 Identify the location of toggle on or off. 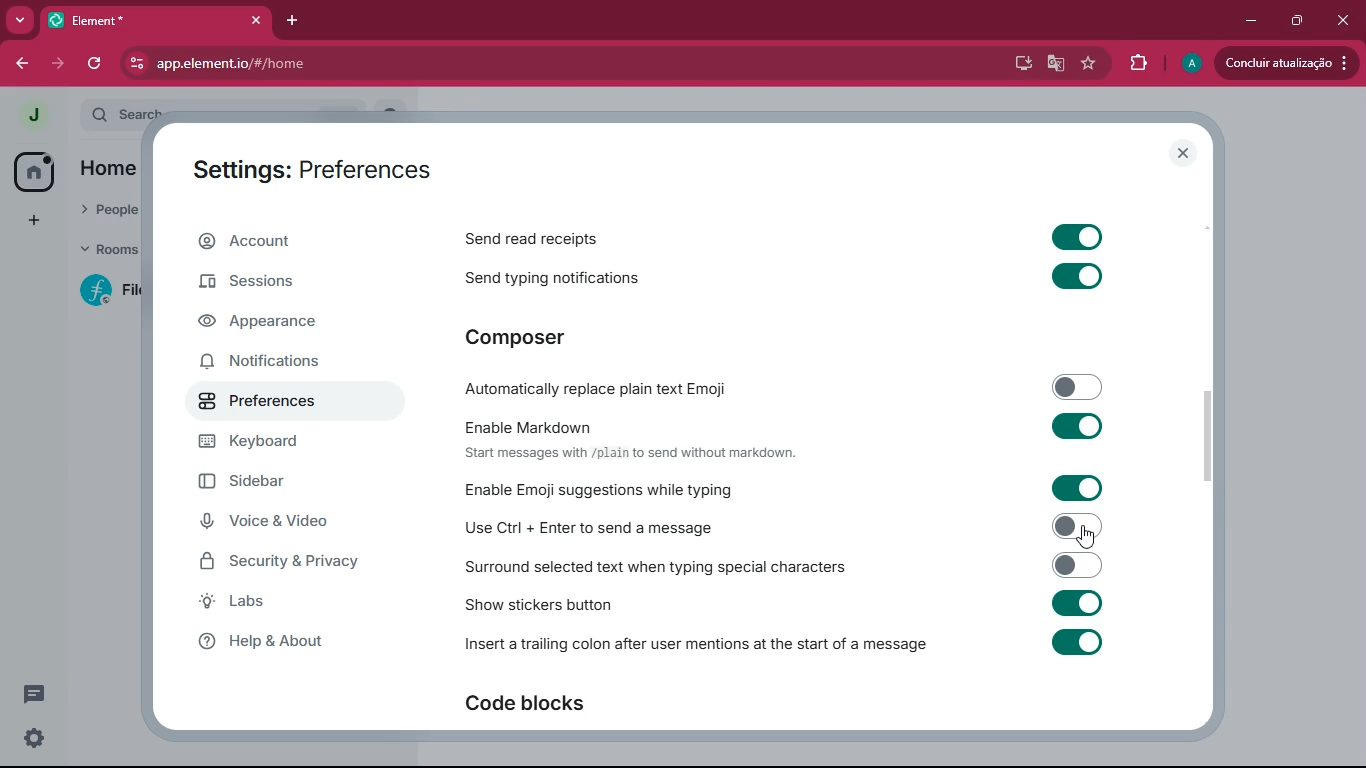
(1076, 275).